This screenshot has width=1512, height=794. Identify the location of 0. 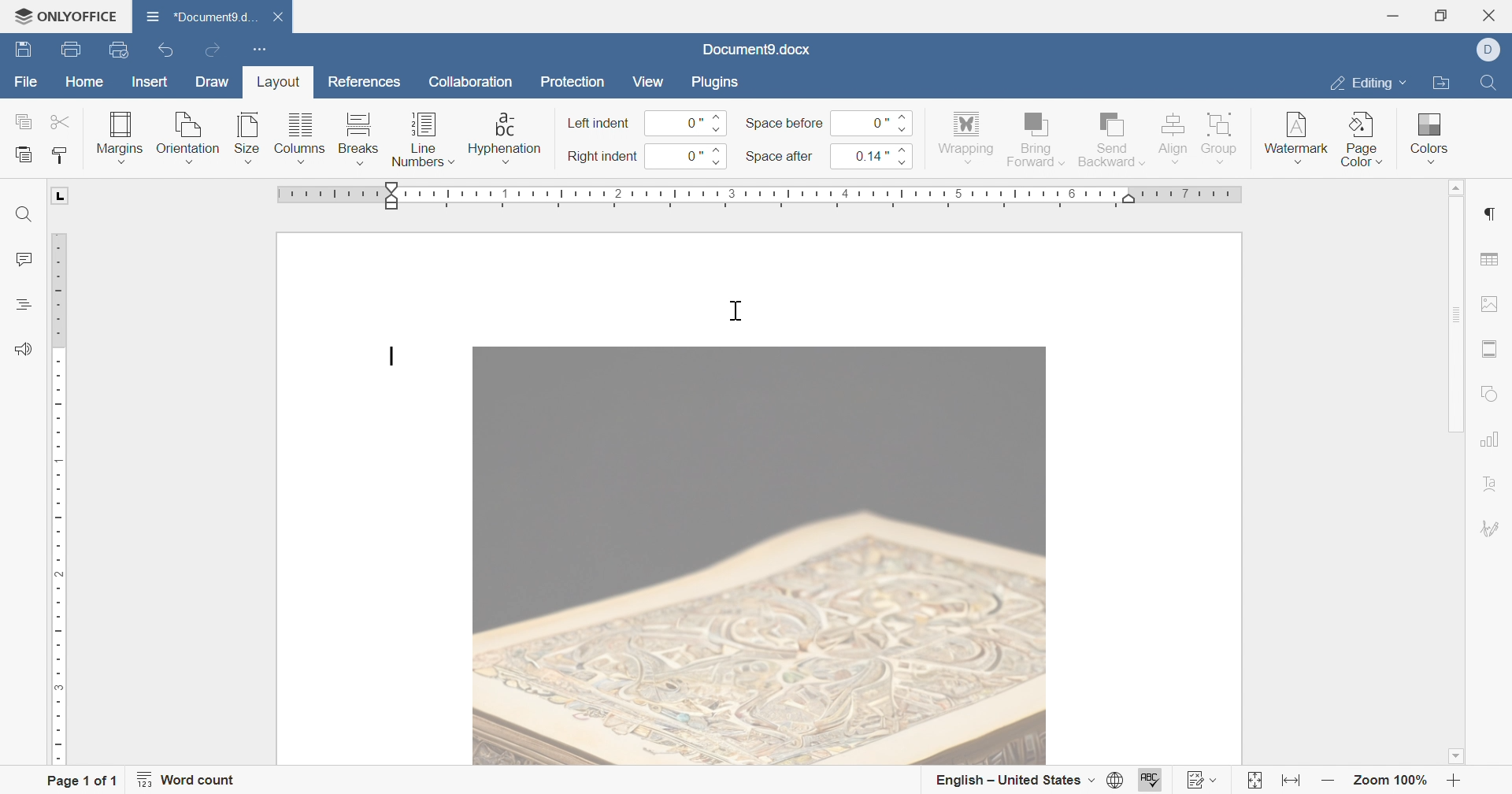
(869, 122).